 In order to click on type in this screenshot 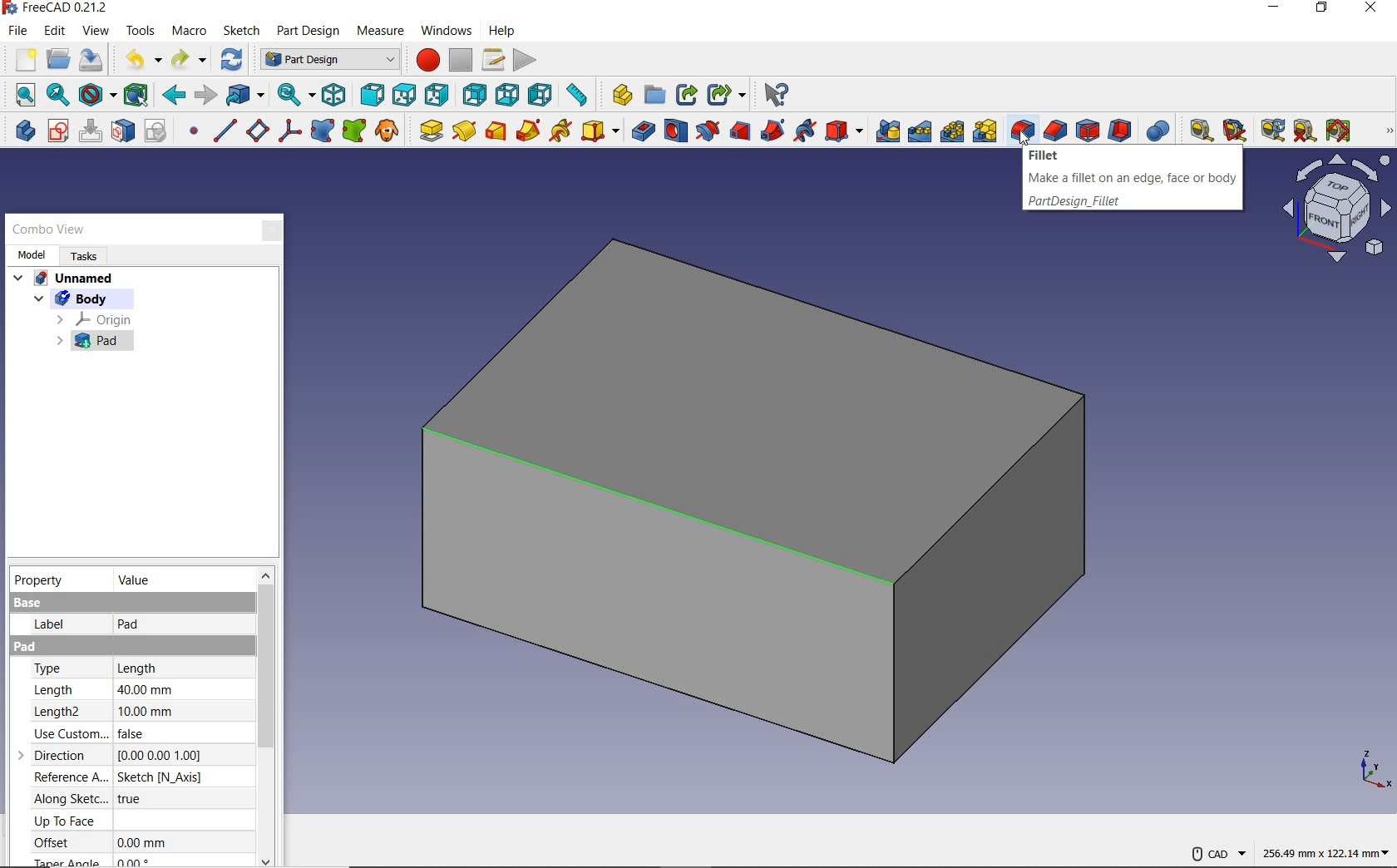, I will do `click(66, 670)`.